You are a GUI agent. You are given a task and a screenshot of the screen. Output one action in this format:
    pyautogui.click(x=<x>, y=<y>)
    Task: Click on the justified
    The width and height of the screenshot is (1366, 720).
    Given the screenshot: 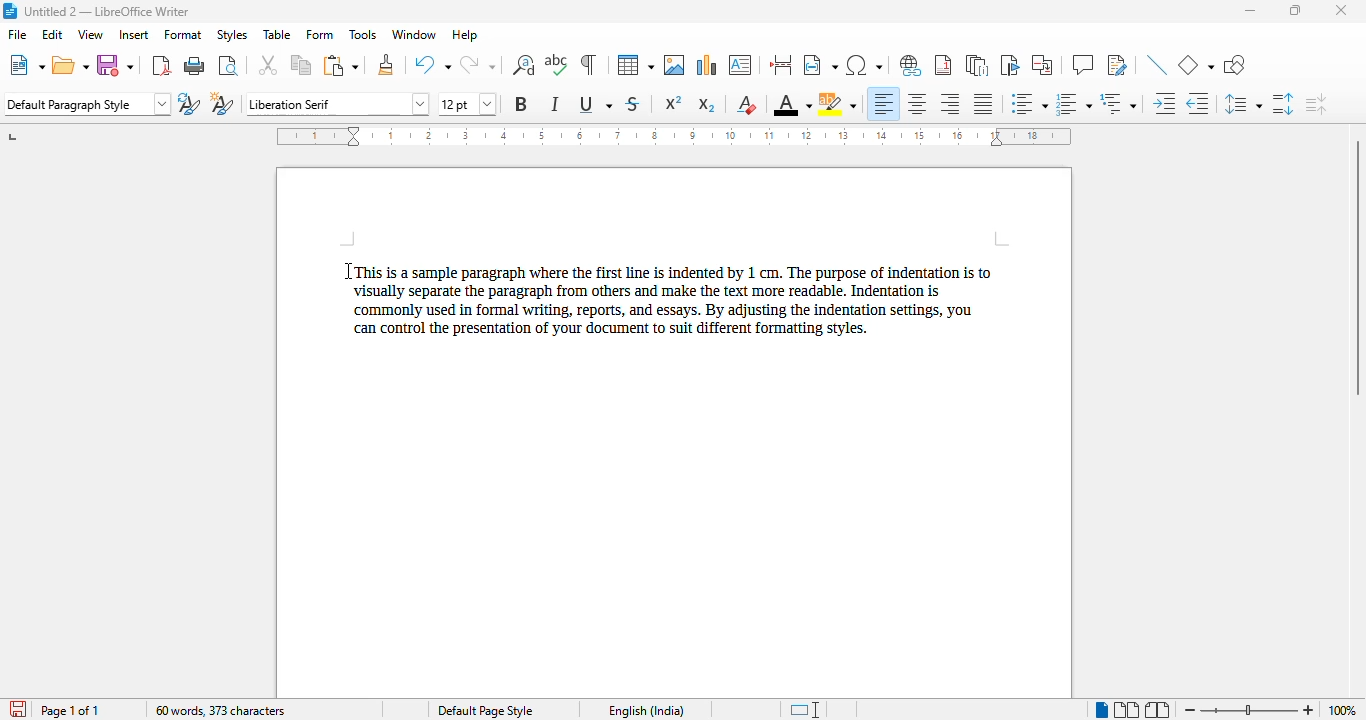 What is the action you would take?
    pyautogui.click(x=983, y=104)
    